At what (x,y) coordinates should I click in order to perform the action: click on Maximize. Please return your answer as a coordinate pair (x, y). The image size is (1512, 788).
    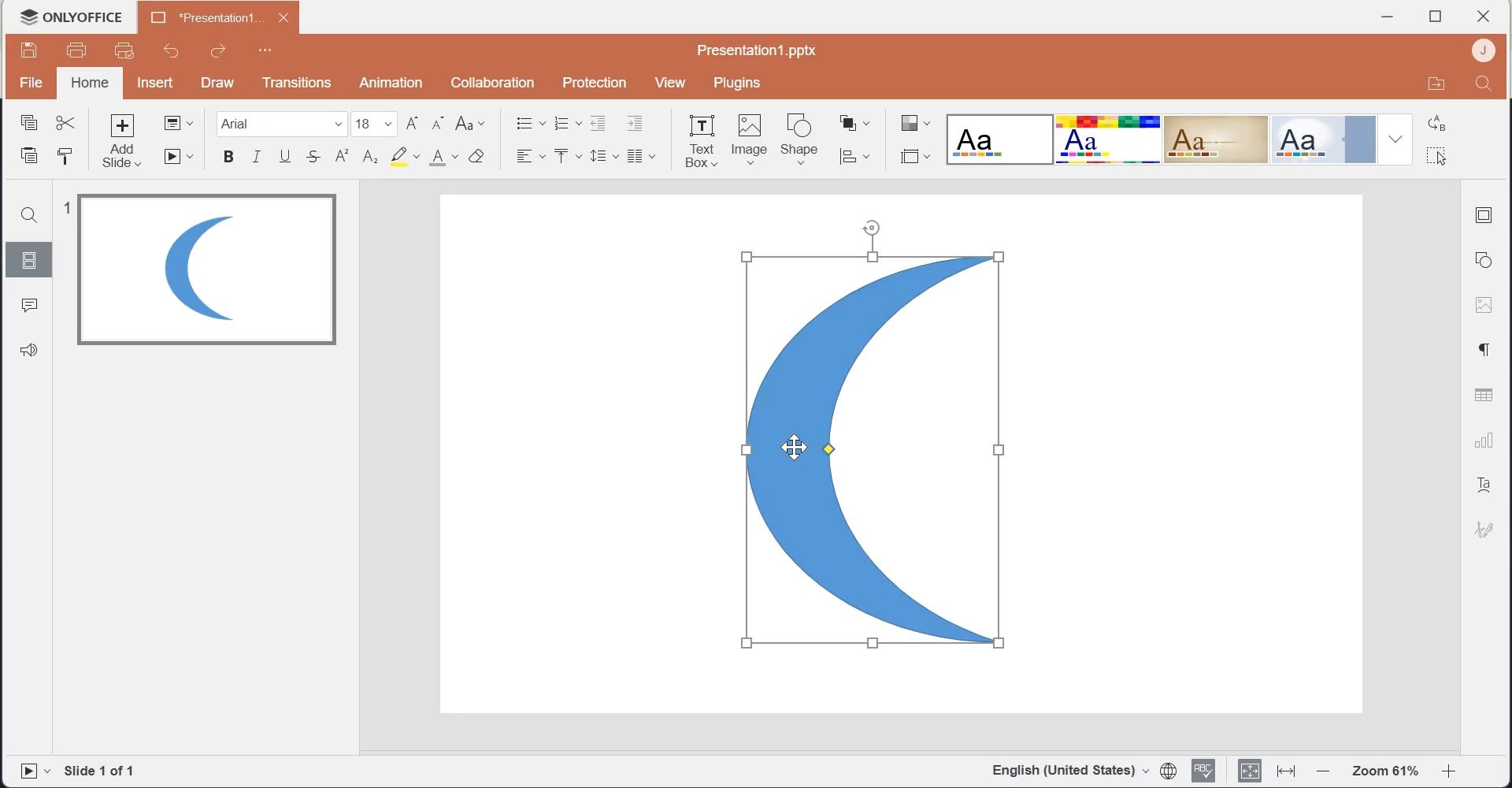
    Looking at the image, I should click on (1436, 17).